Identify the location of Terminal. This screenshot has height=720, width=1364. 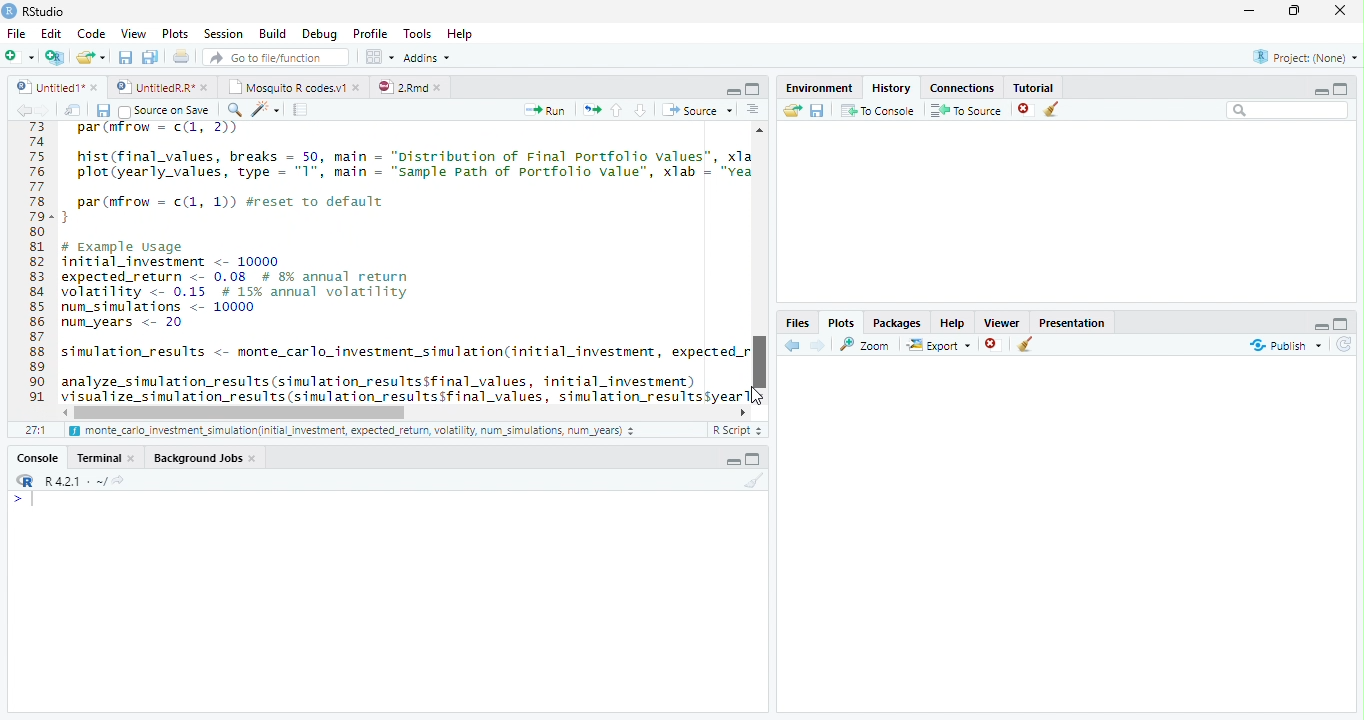
(107, 457).